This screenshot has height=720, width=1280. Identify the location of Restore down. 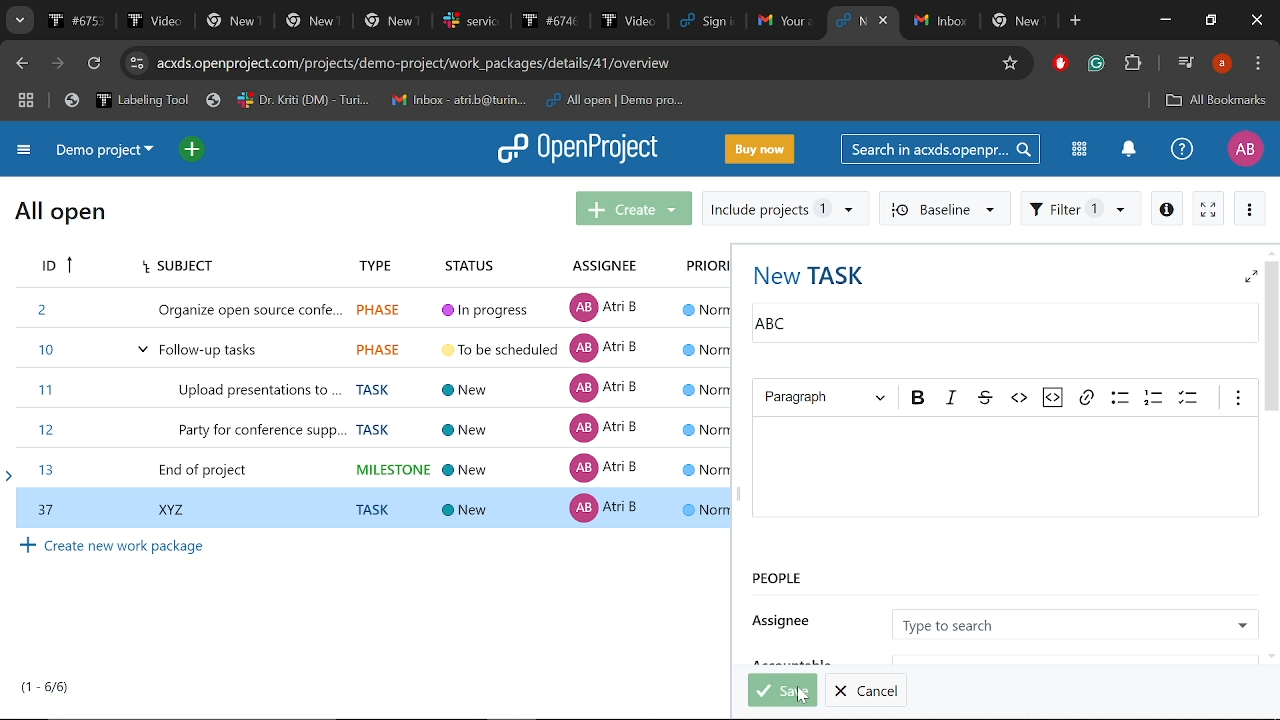
(1210, 21).